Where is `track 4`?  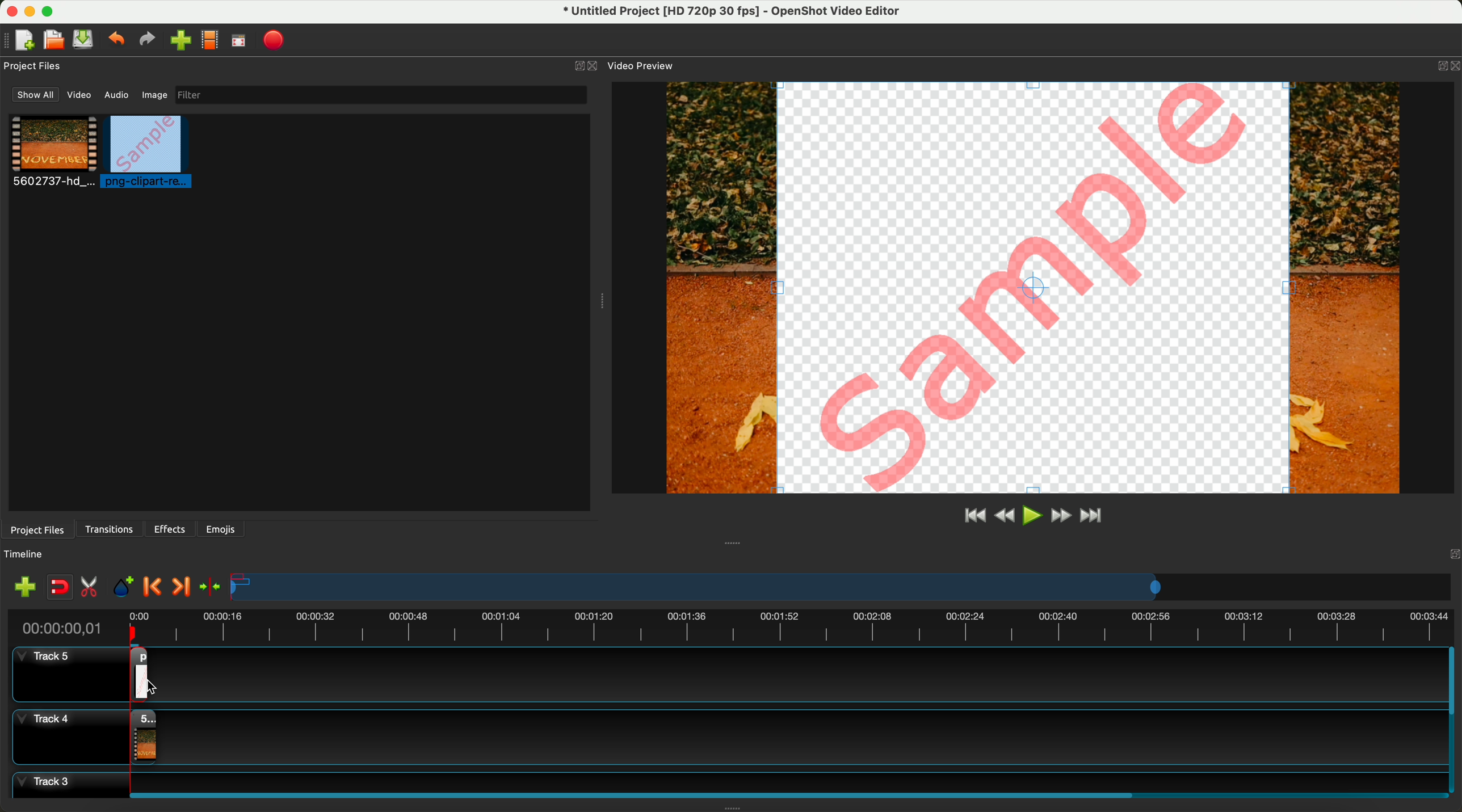 track 4 is located at coordinates (722, 734).